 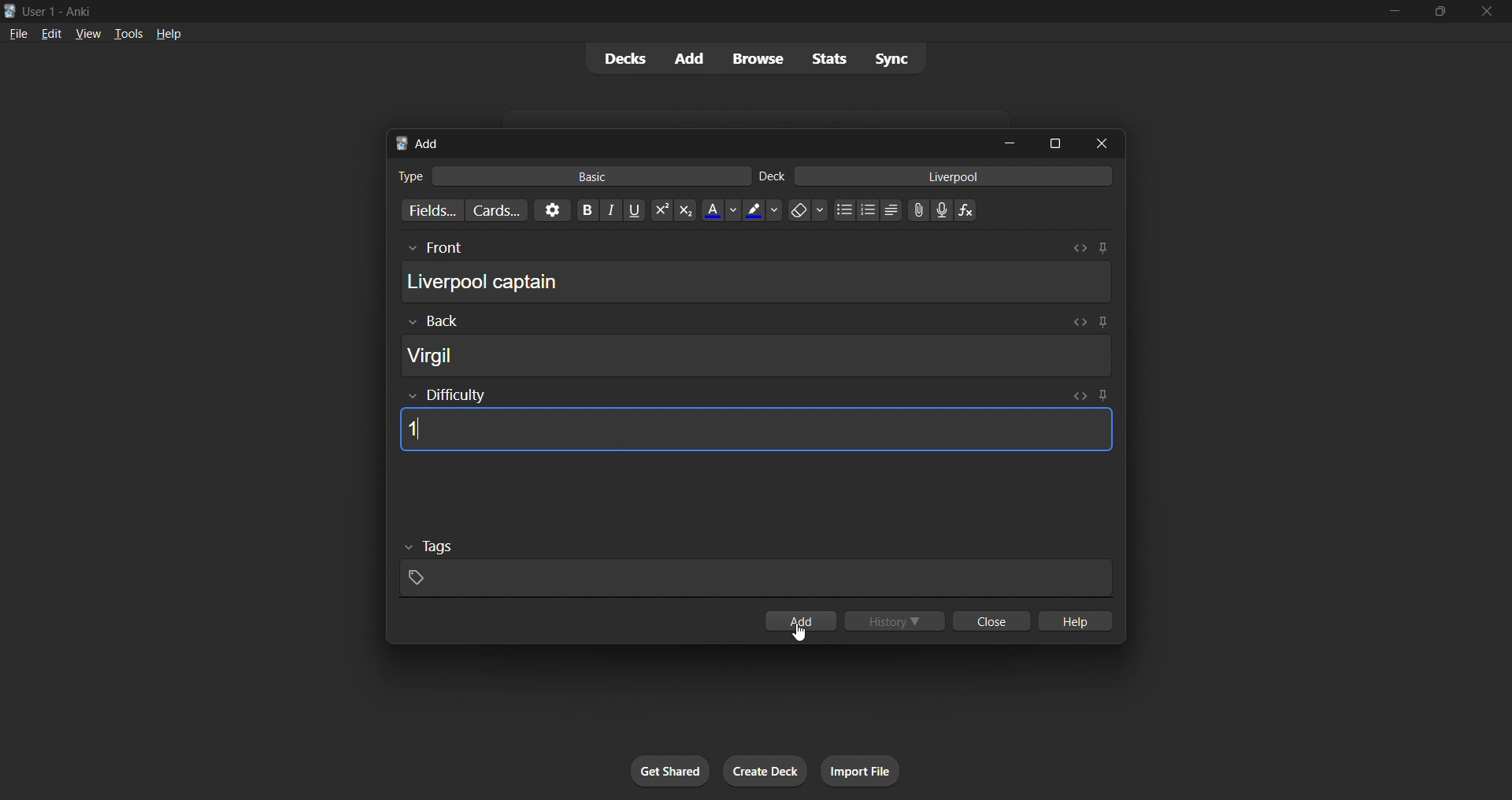 What do you see at coordinates (623, 59) in the screenshot?
I see `decks` at bounding box center [623, 59].